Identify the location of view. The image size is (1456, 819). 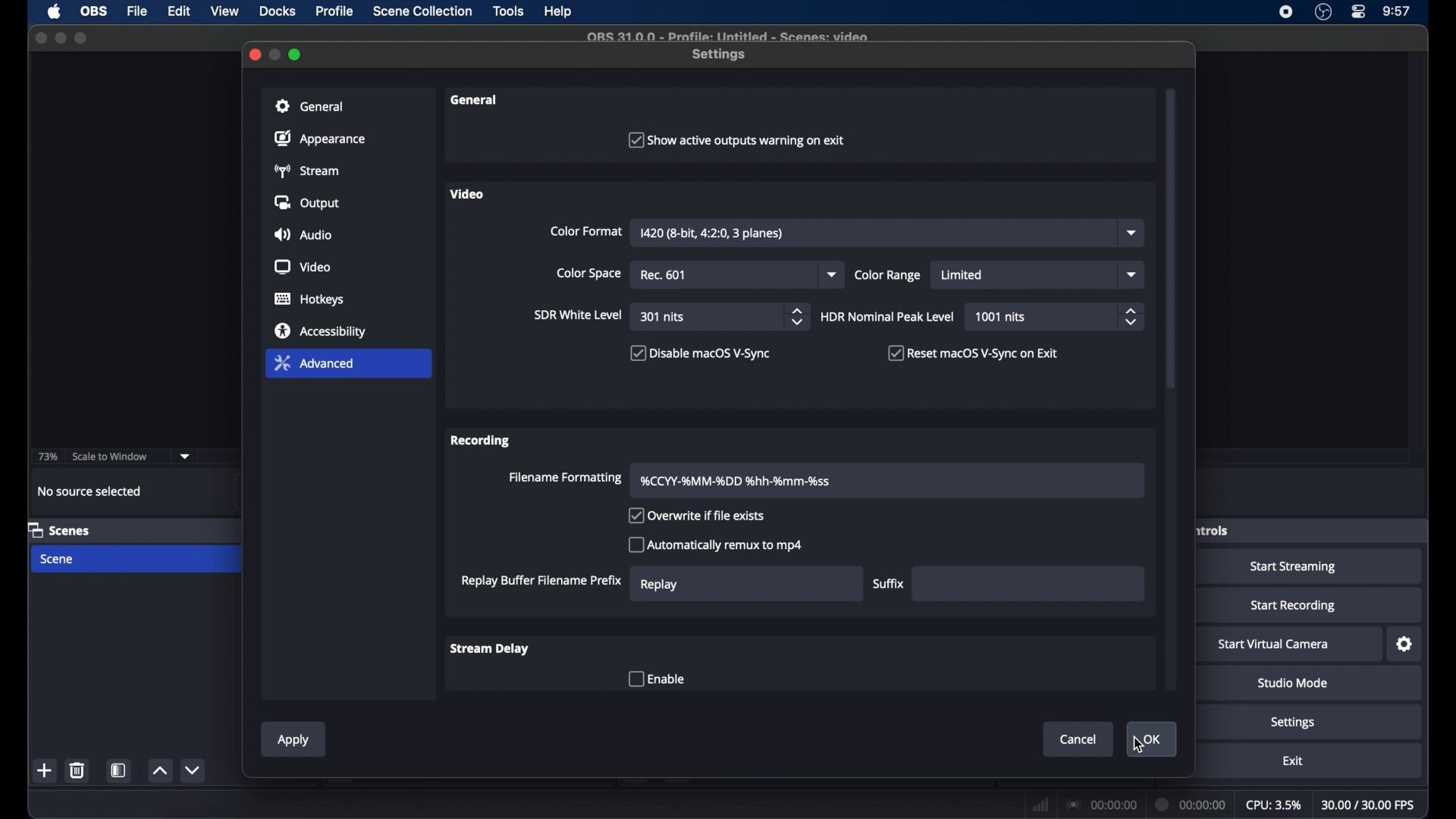
(224, 11).